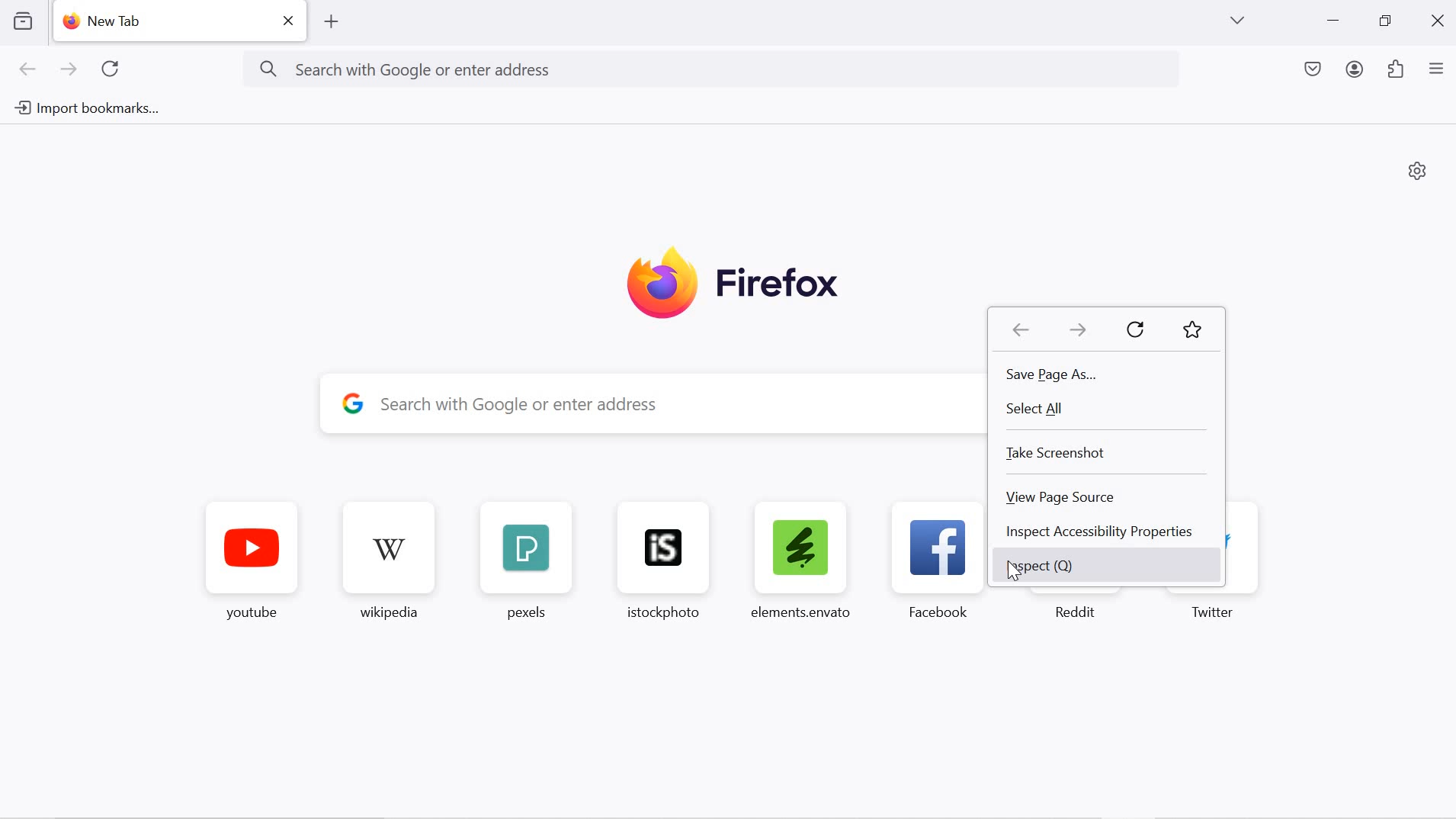  What do you see at coordinates (1073, 612) in the screenshot?
I see `Reddit` at bounding box center [1073, 612].